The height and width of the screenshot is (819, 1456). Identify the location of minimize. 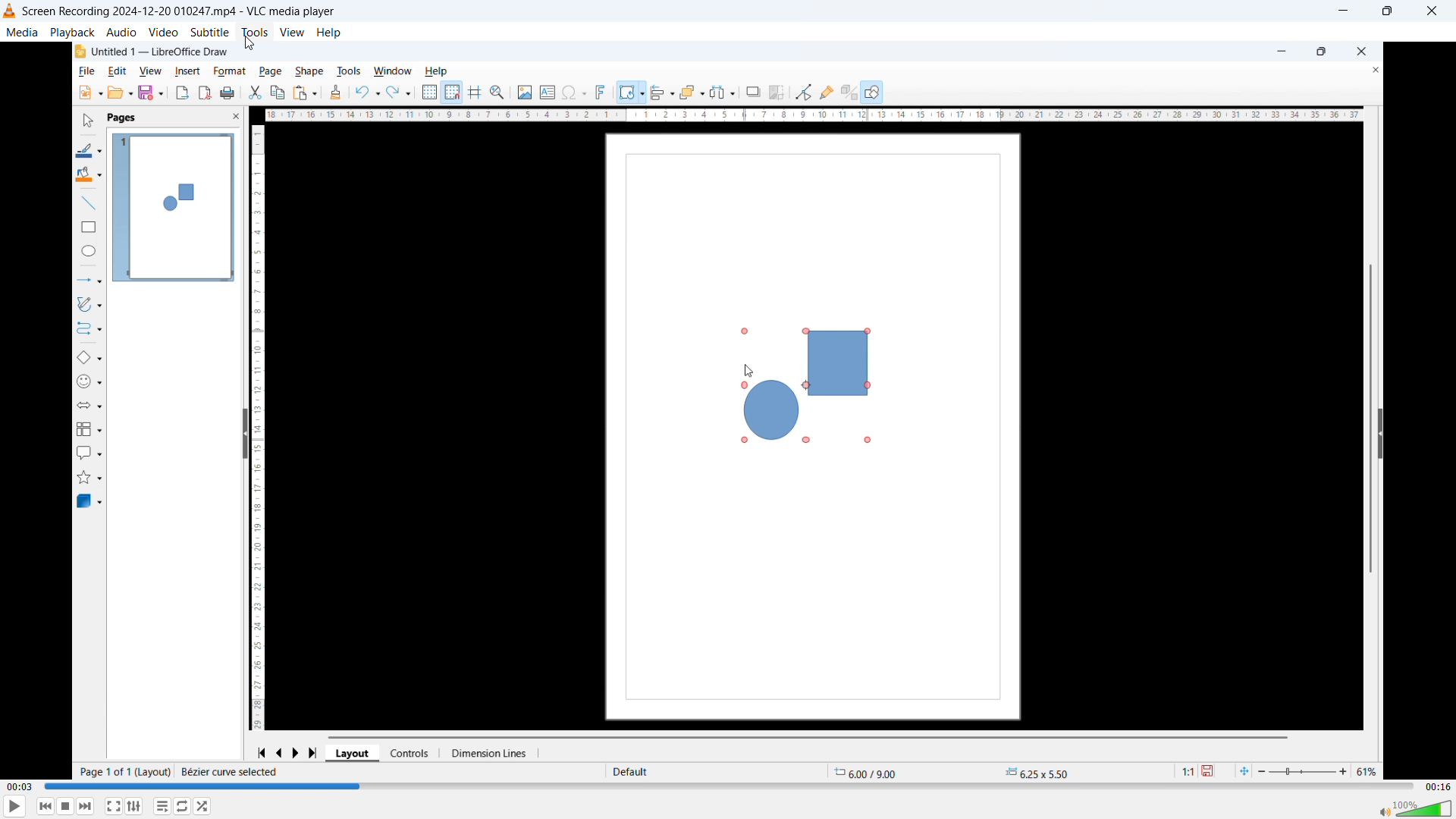
(1342, 12).